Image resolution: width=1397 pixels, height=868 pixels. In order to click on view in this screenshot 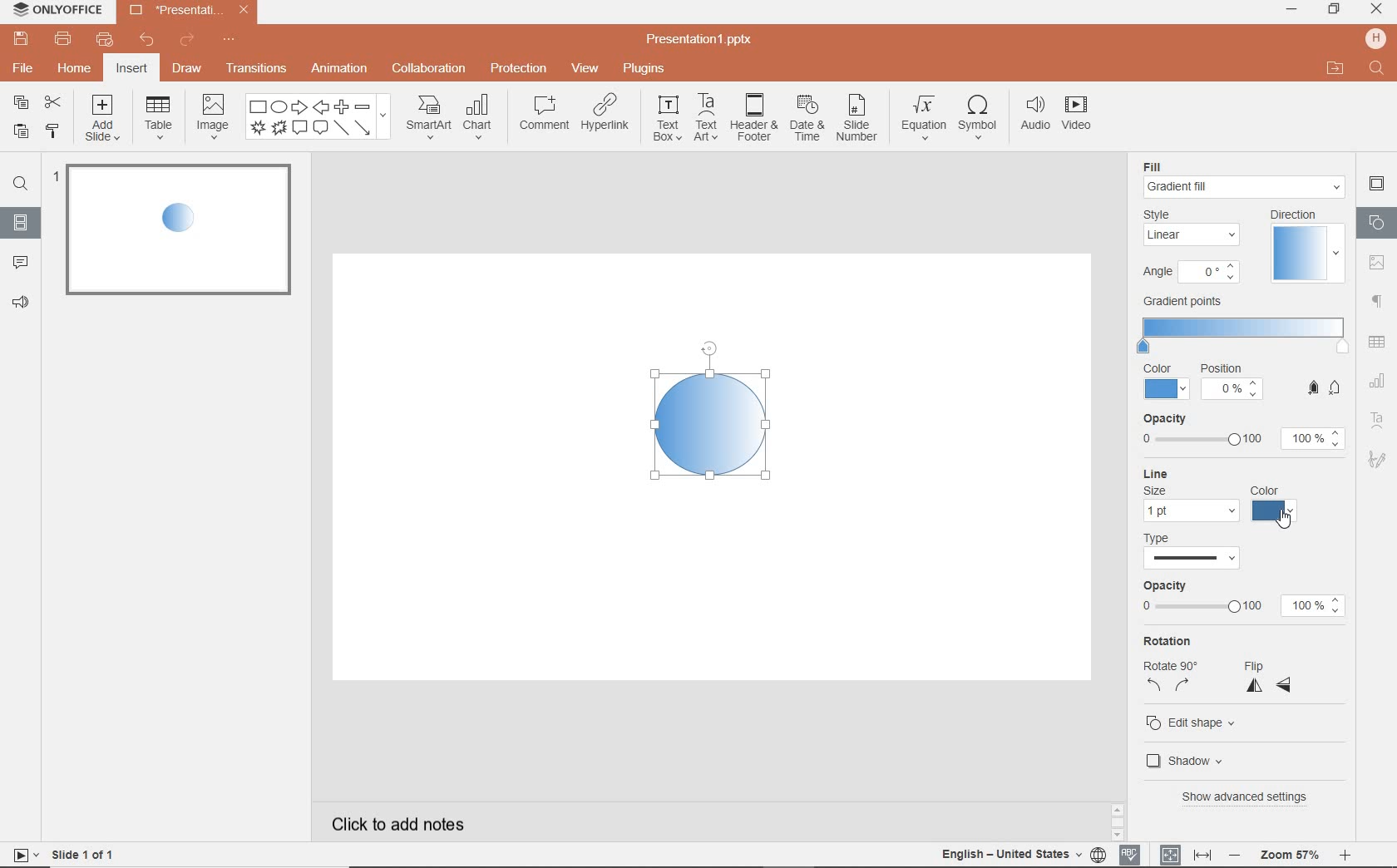, I will do `click(584, 70)`.